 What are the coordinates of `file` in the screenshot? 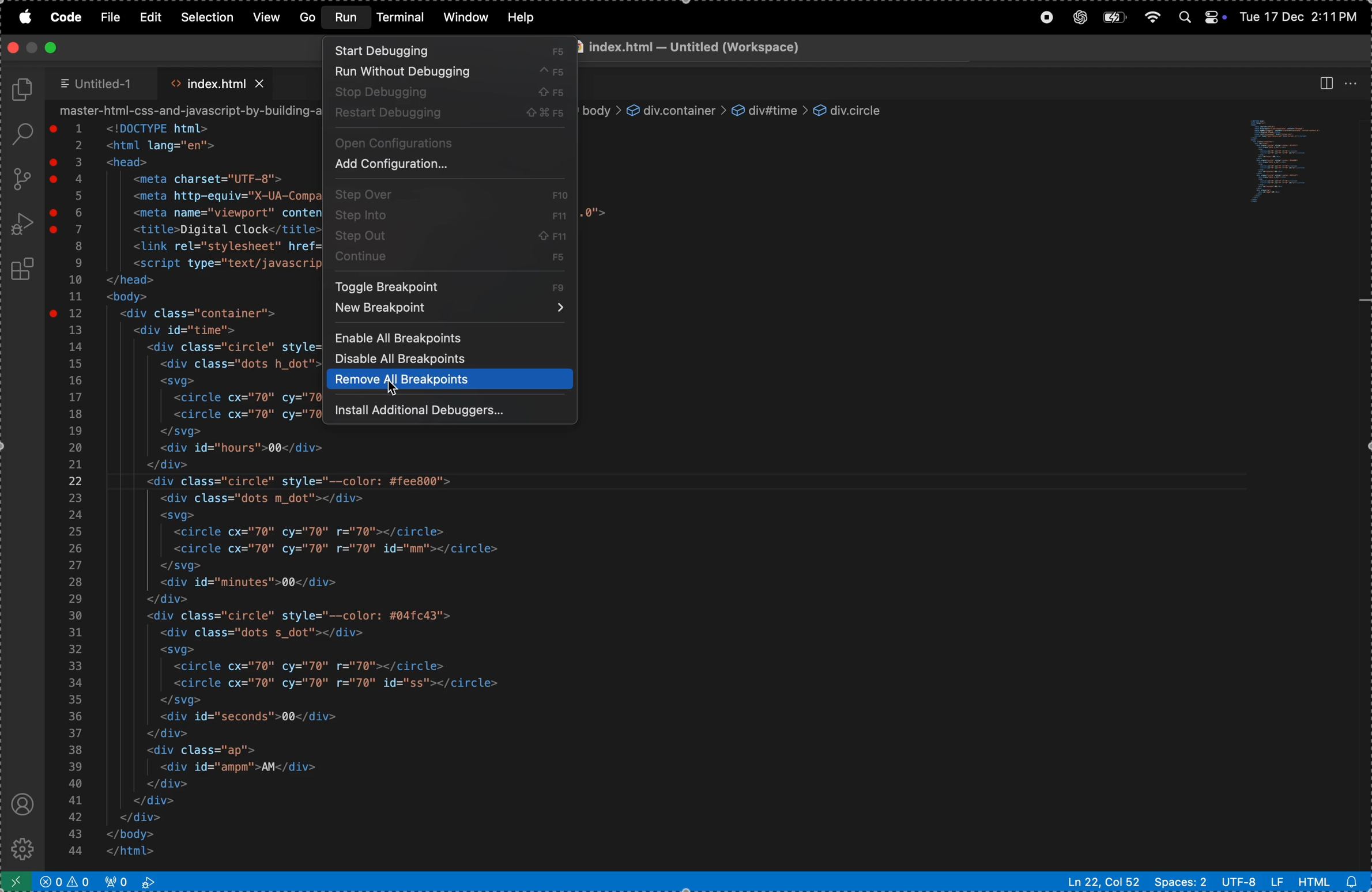 It's located at (112, 18).